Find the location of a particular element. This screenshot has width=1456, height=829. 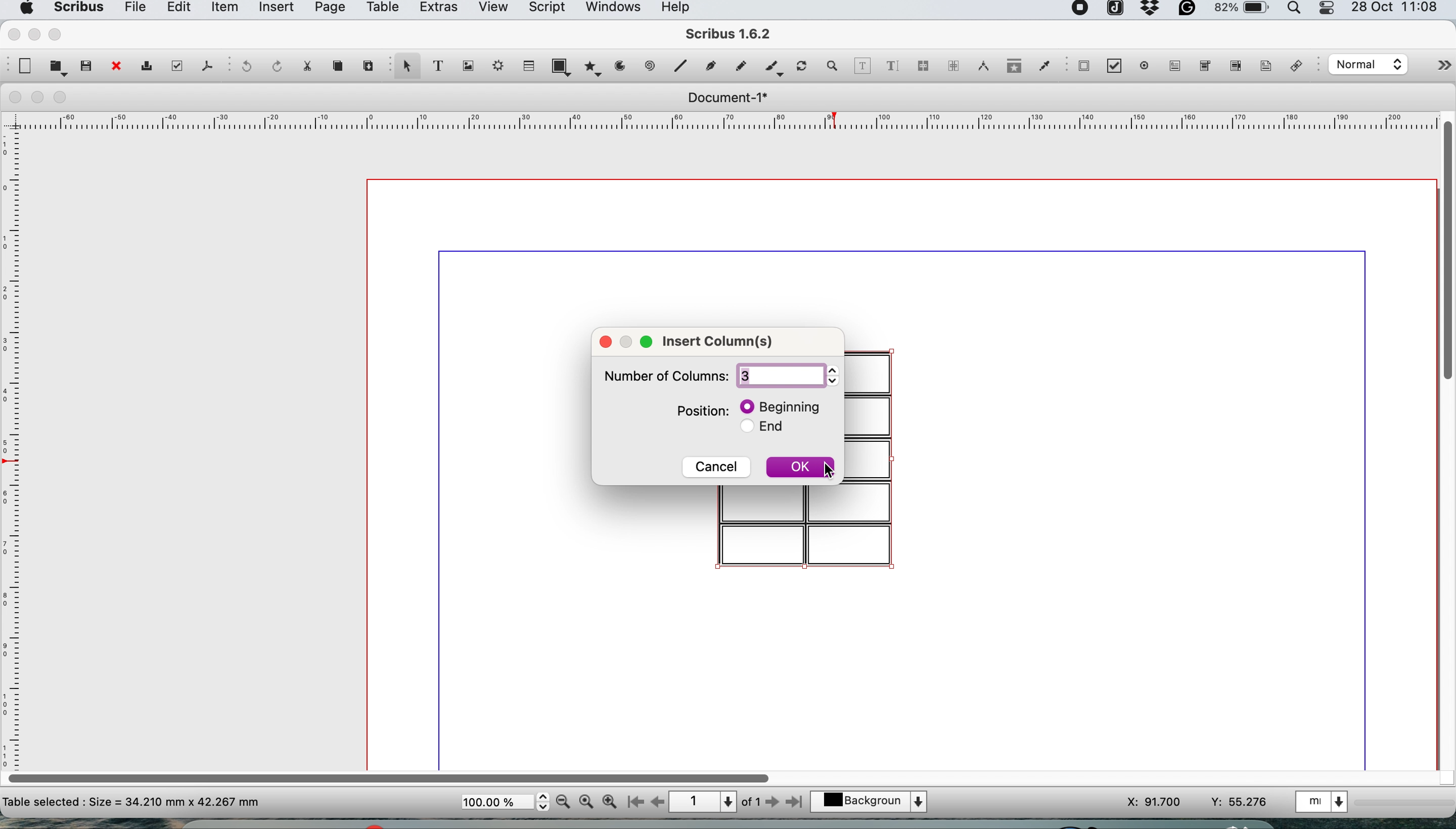

Number of columns is located at coordinates (666, 375).